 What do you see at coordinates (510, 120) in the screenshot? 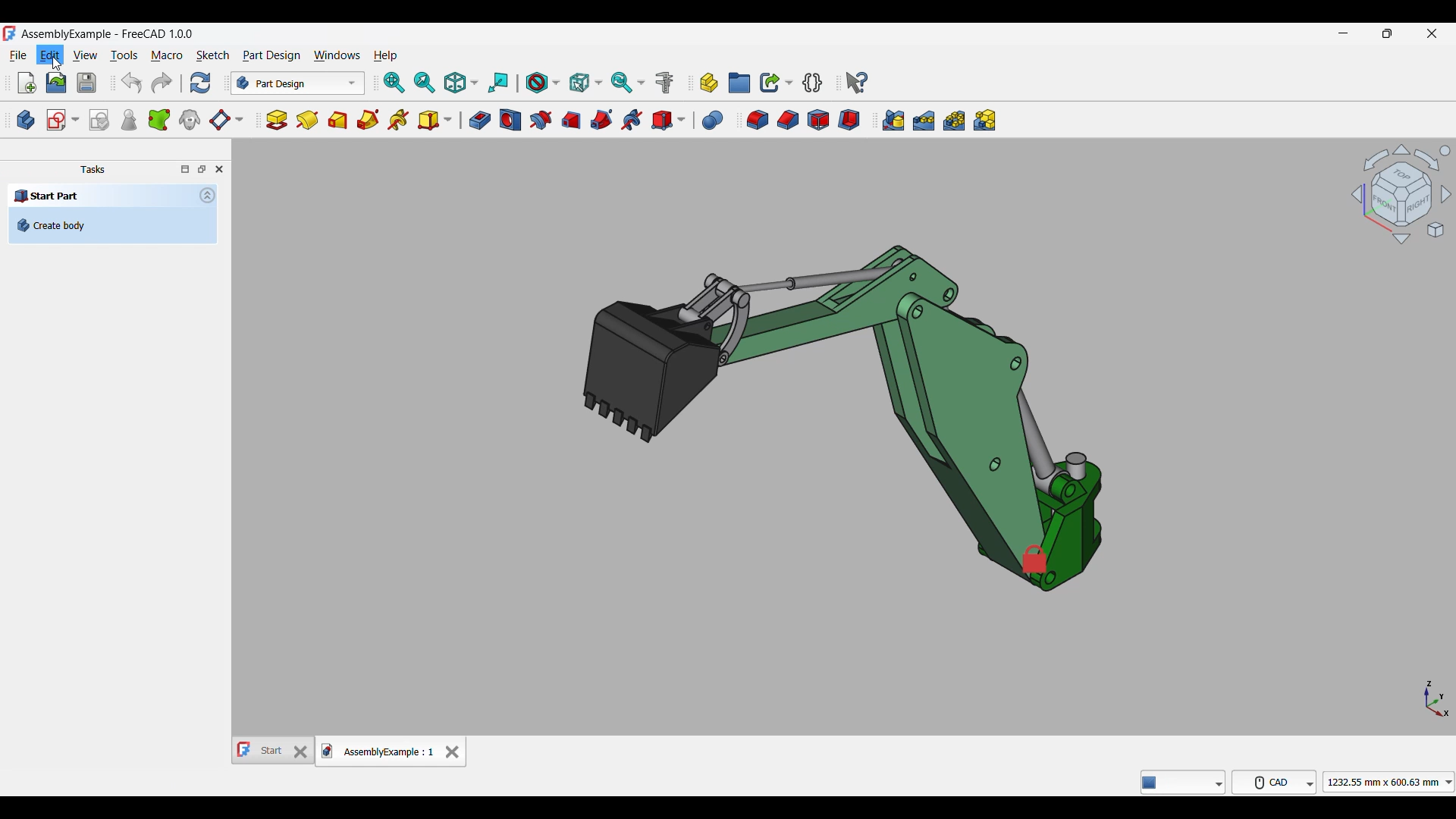
I see `Hole` at bounding box center [510, 120].